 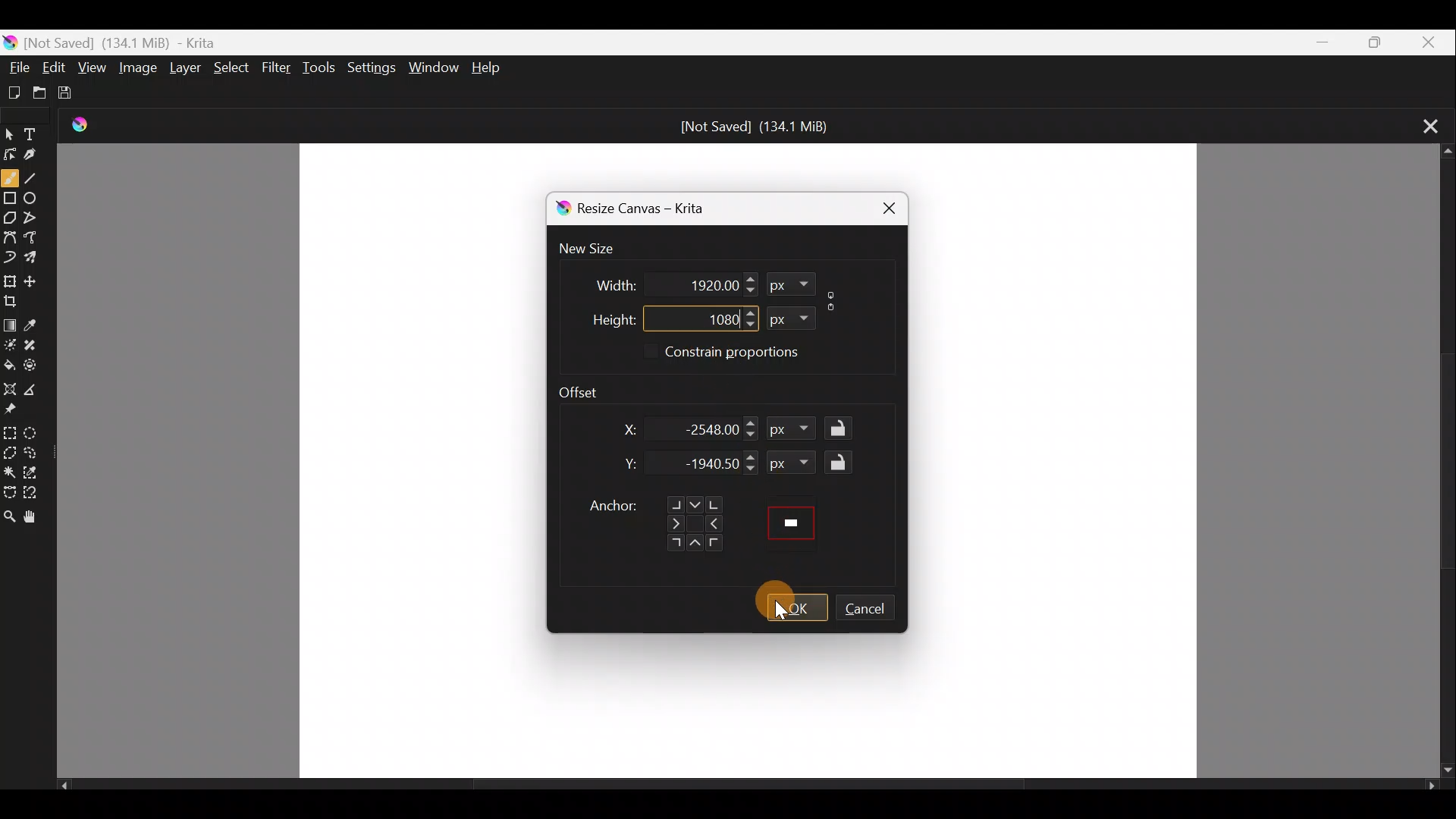 I want to click on Y dimension, so click(x=626, y=464).